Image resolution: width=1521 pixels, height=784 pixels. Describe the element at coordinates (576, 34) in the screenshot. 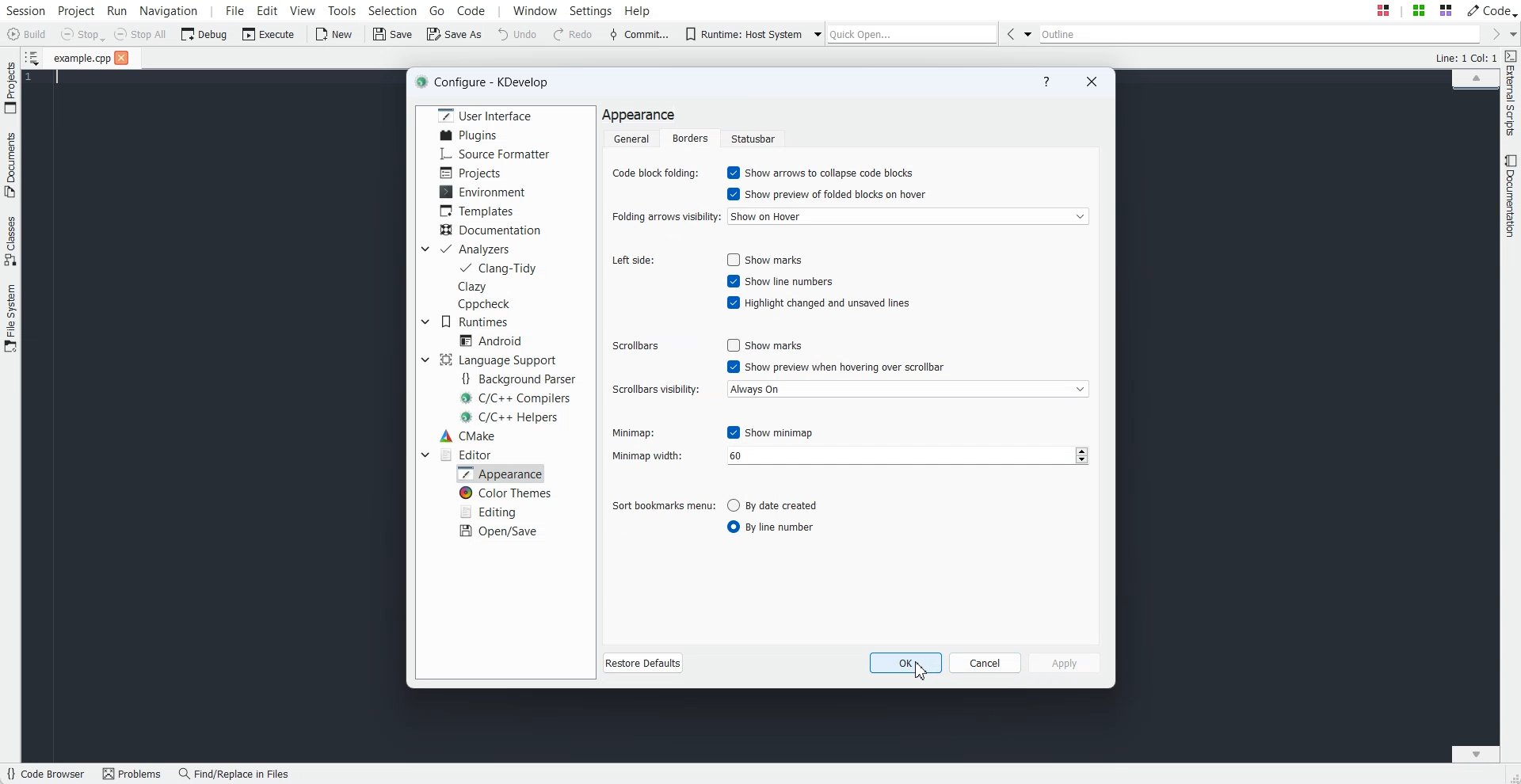

I see `Redo` at that location.